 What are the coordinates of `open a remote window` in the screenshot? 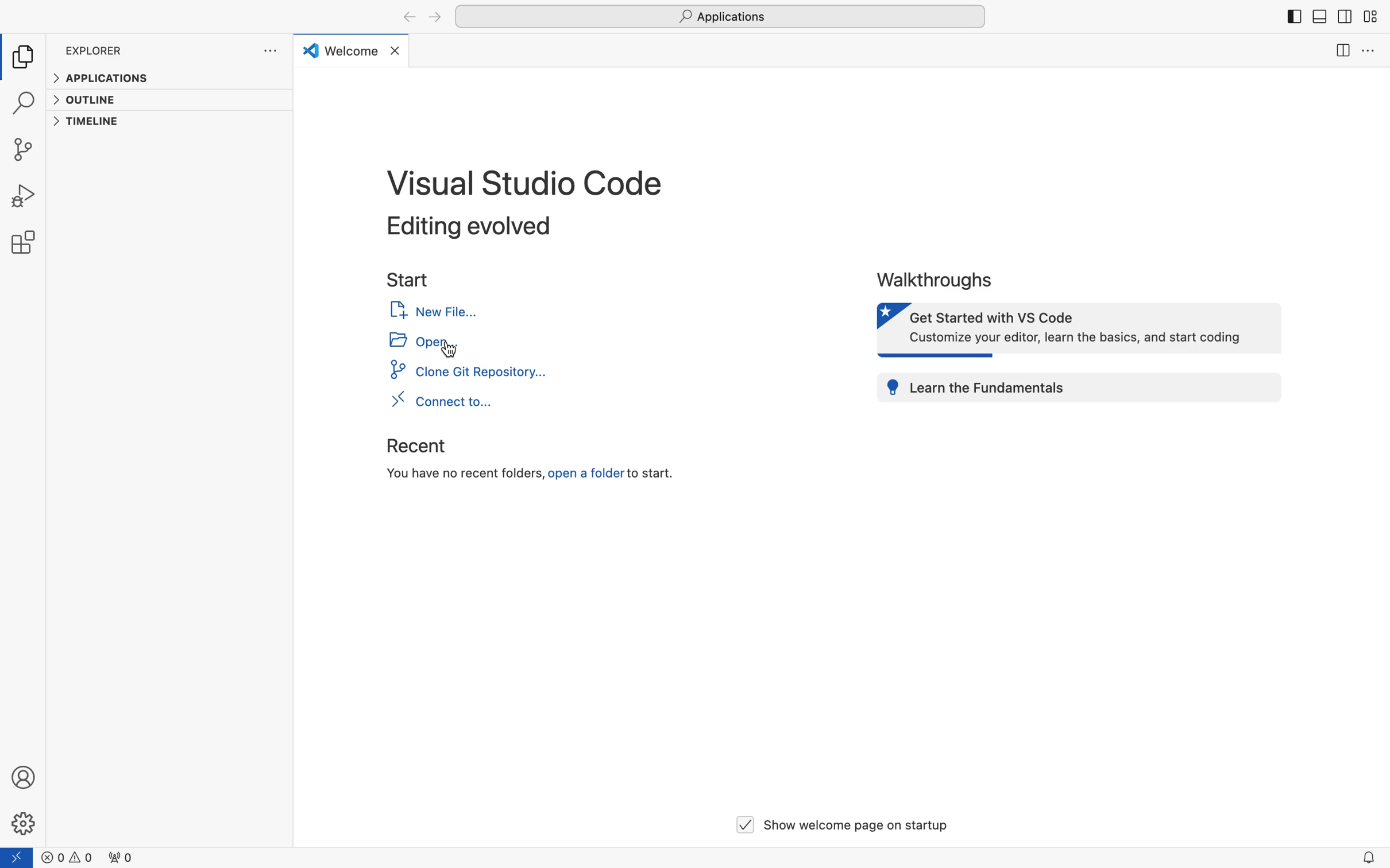 It's located at (20, 858).